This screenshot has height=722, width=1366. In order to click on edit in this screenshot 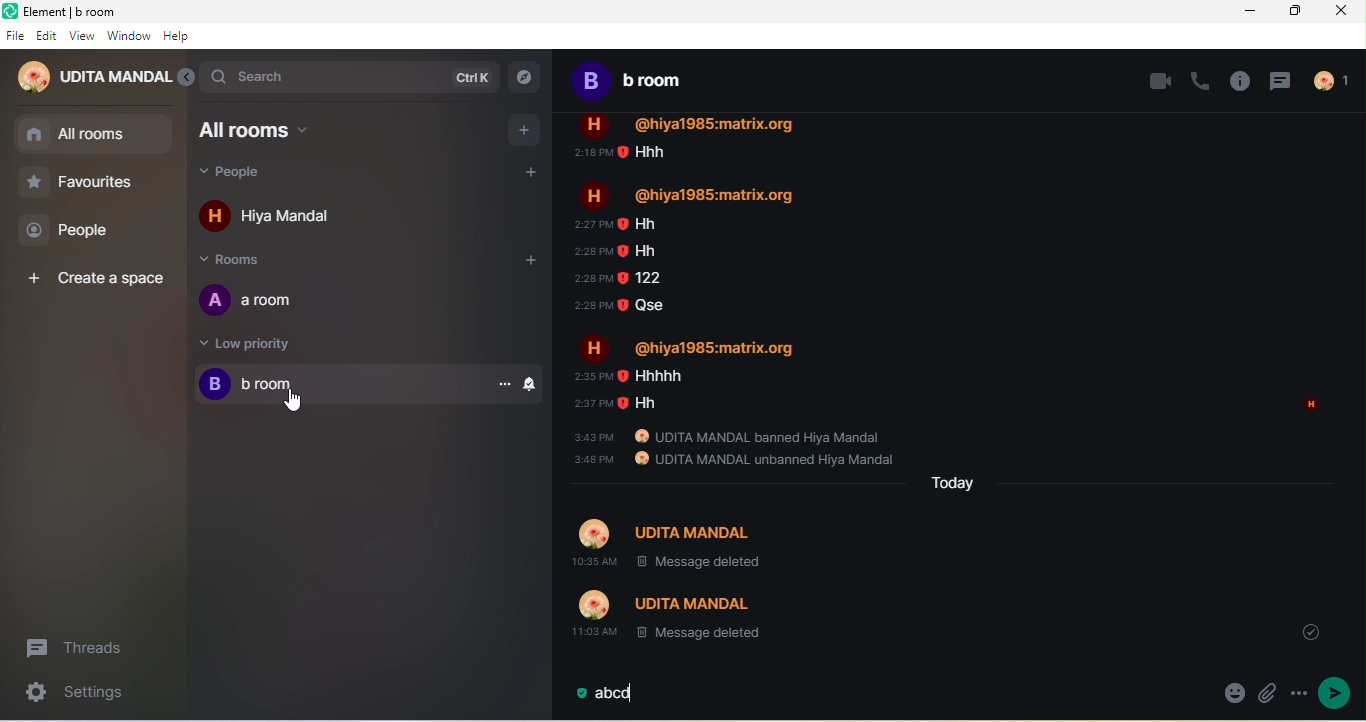, I will do `click(47, 38)`.